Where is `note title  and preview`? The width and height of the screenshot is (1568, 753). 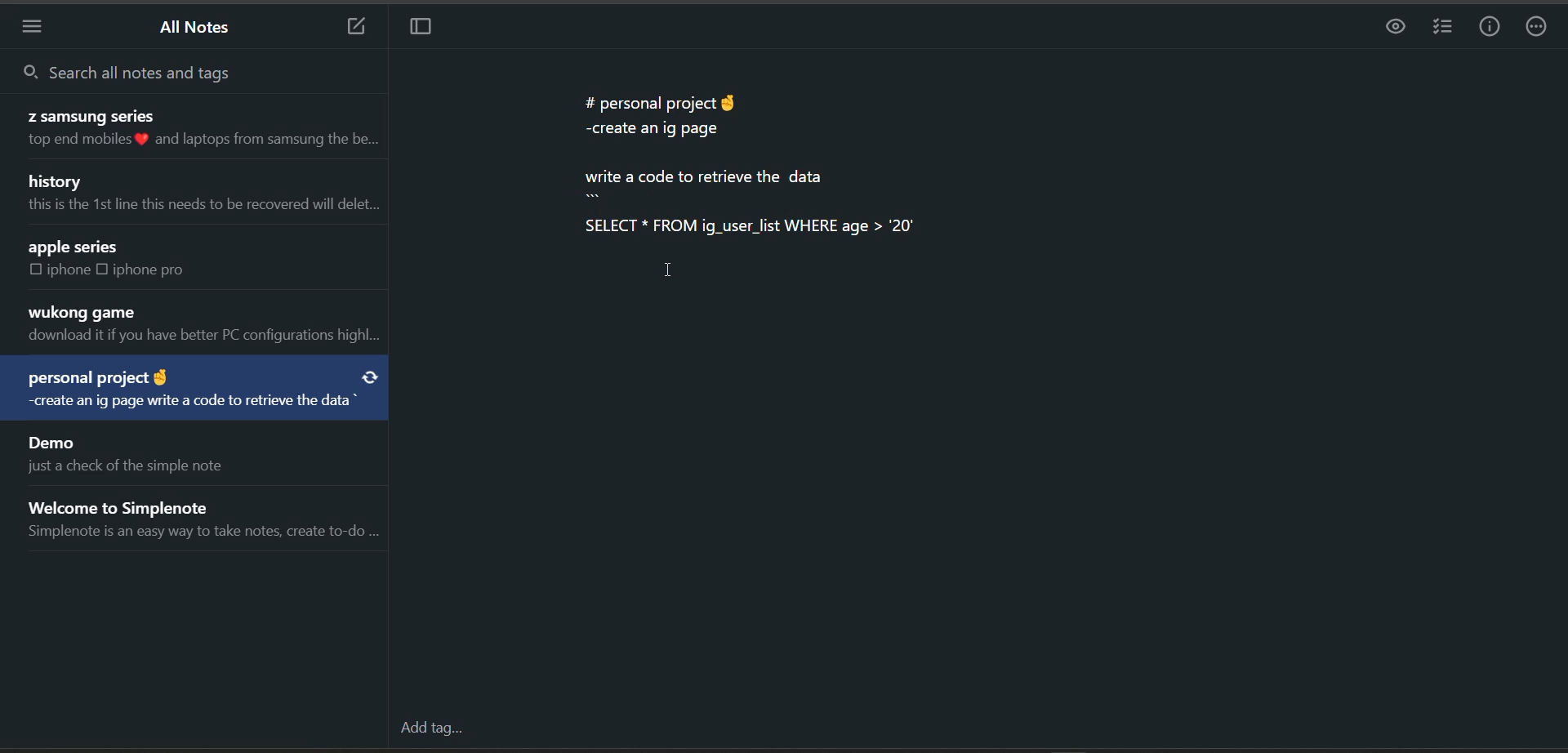
note title  and preview is located at coordinates (194, 390).